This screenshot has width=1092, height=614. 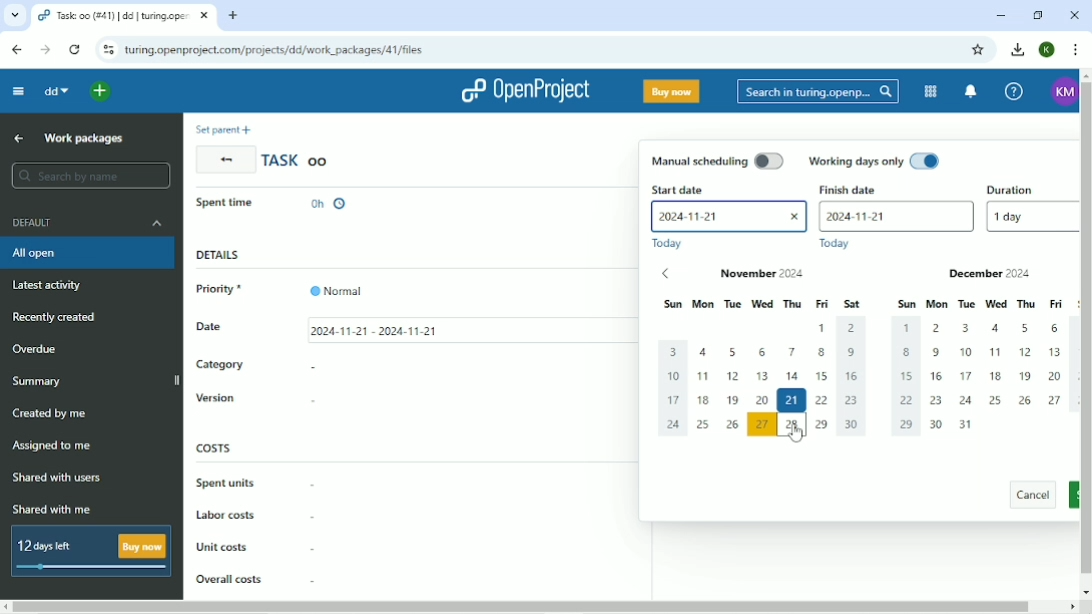 What do you see at coordinates (793, 432) in the screenshot?
I see `cursor` at bounding box center [793, 432].